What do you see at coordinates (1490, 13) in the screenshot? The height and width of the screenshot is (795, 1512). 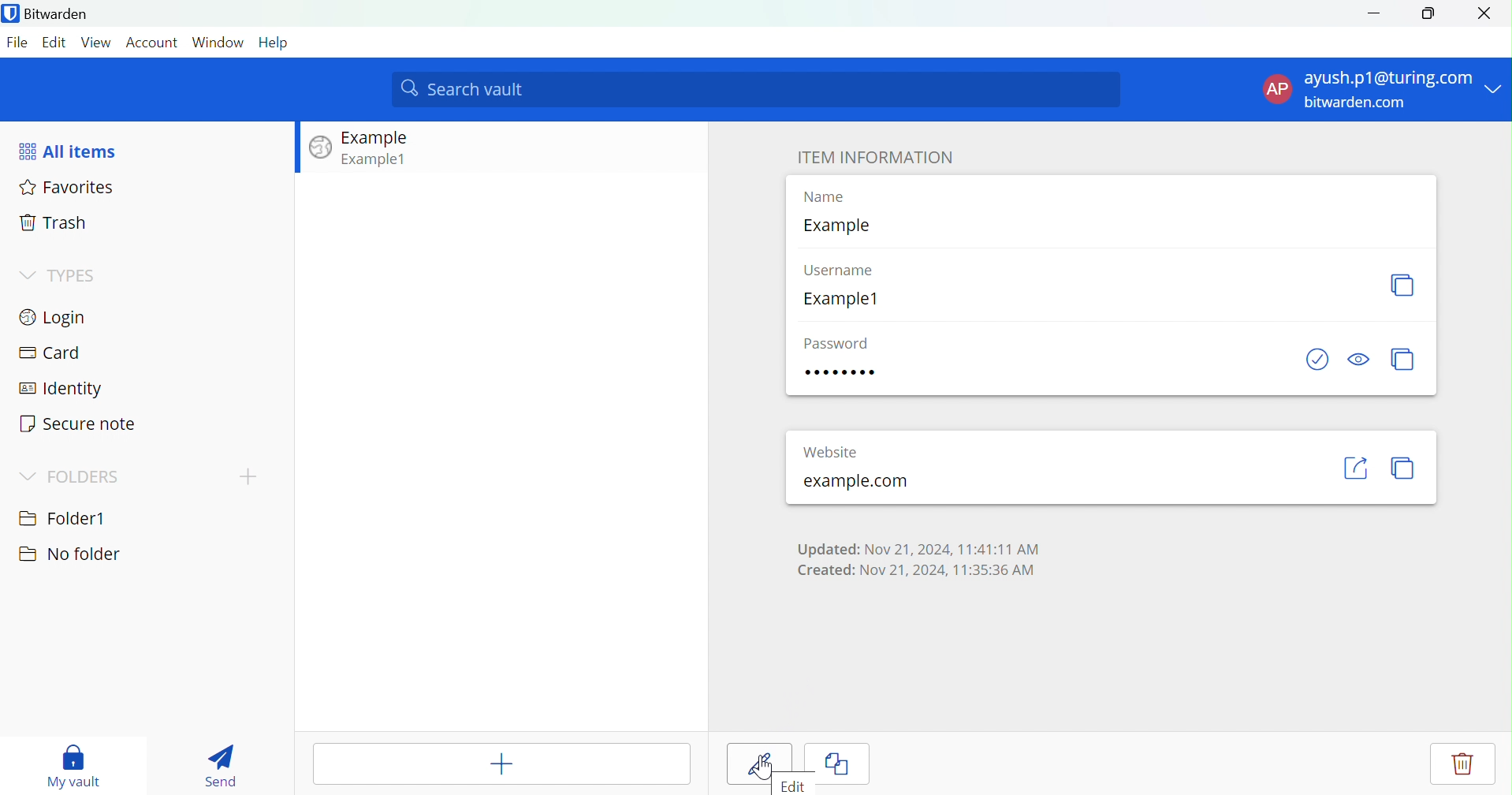 I see `Close` at bounding box center [1490, 13].